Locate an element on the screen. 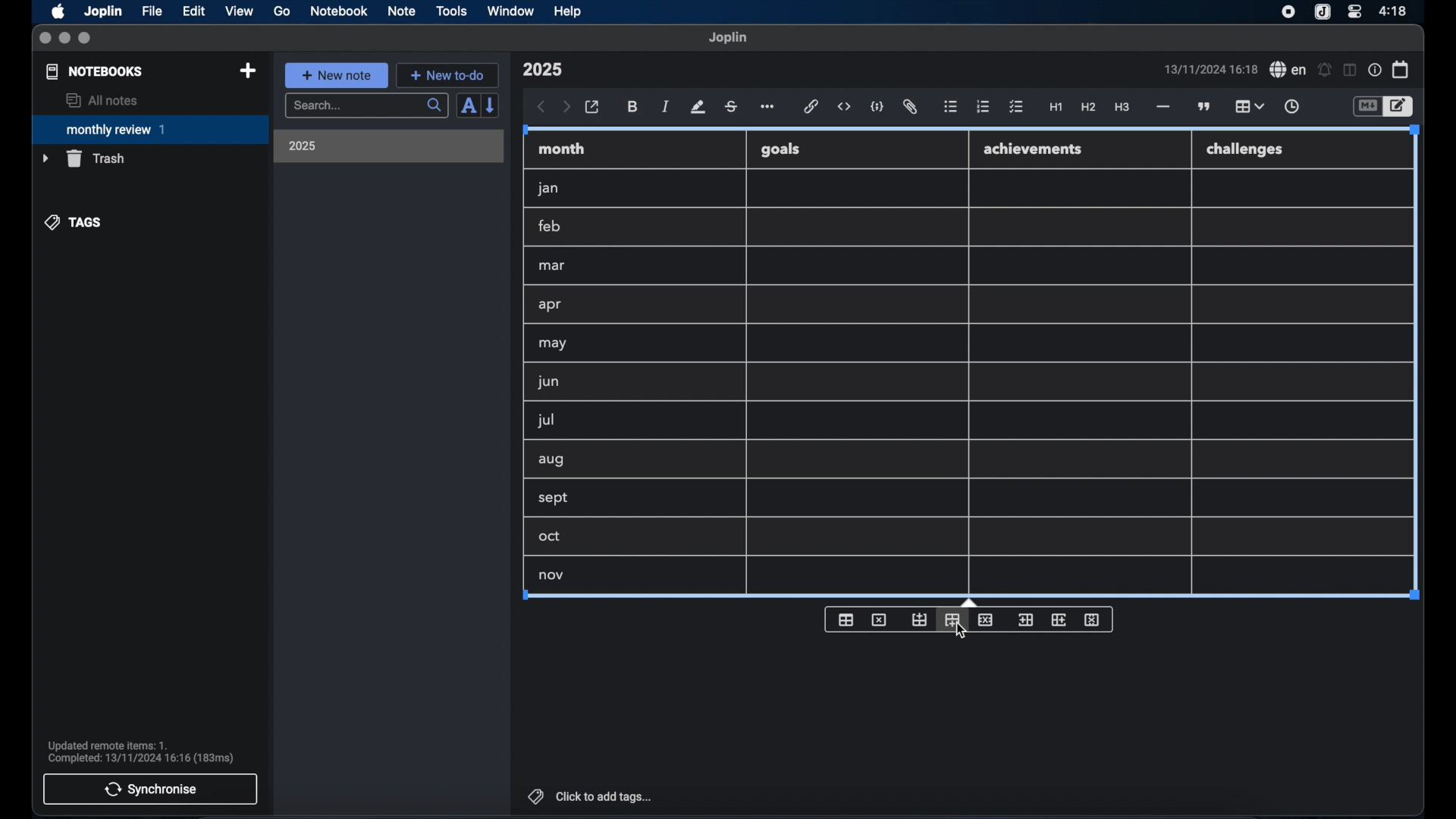 The image size is (1456, 819). synchronise is located at coordinates (150, 789).